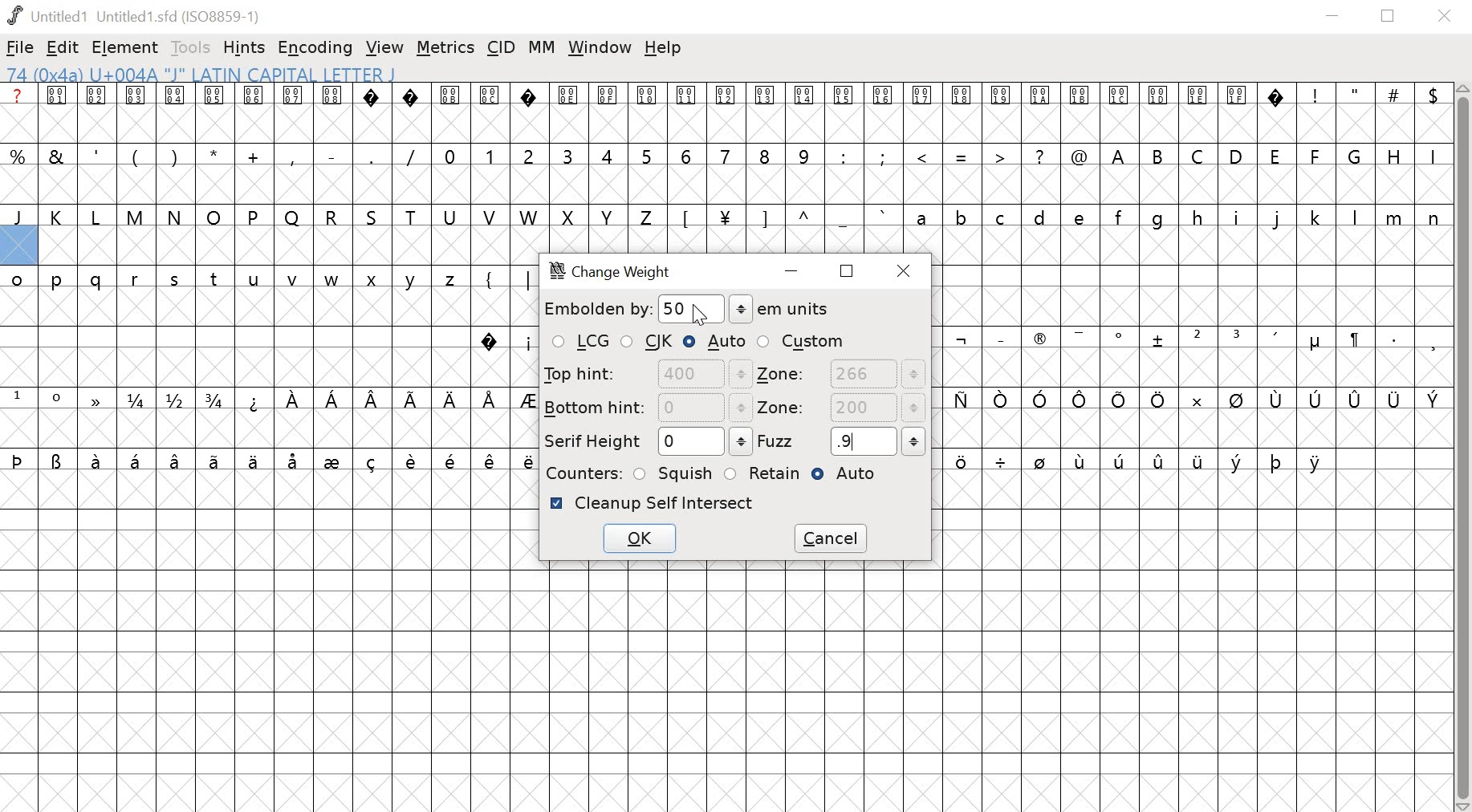  I want to click on lowercase letters, so click(238, 282).